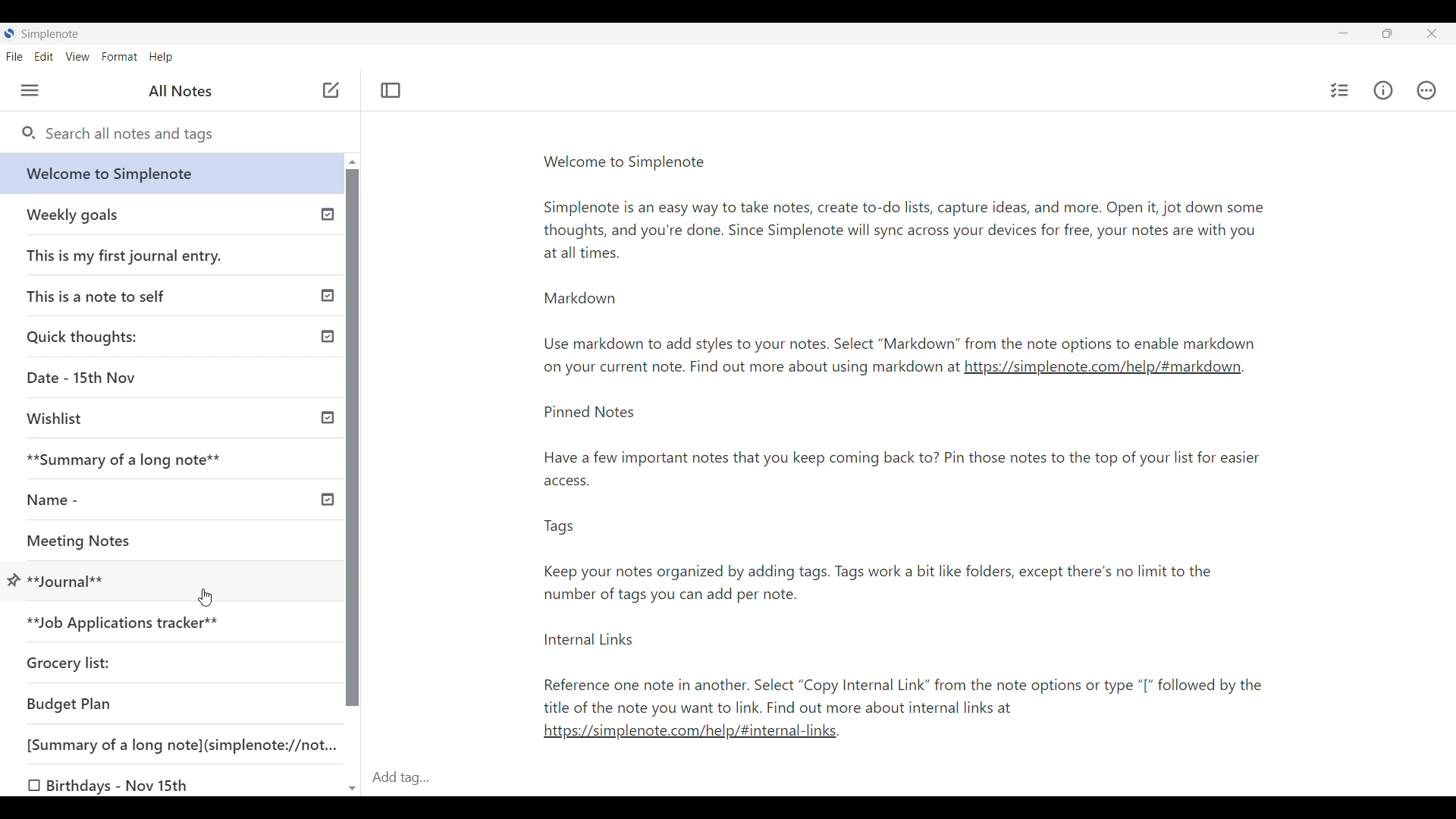  What do you see at coordinates (689, 730) in the screenshot?
I see `link2` at bounding box center [689, 730].